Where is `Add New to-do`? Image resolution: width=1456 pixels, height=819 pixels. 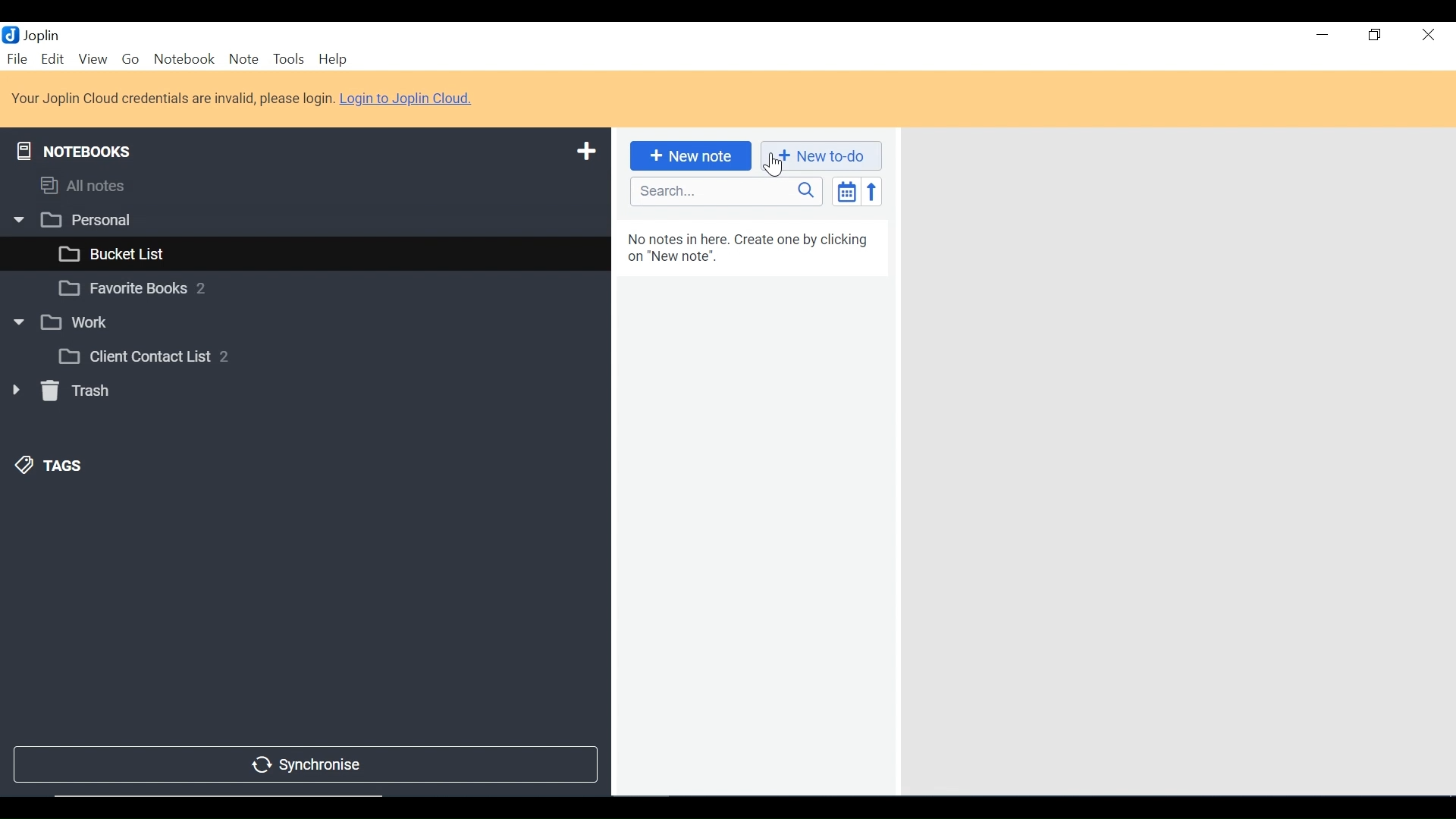
Add New to-do is located at coordinates (821, 156).